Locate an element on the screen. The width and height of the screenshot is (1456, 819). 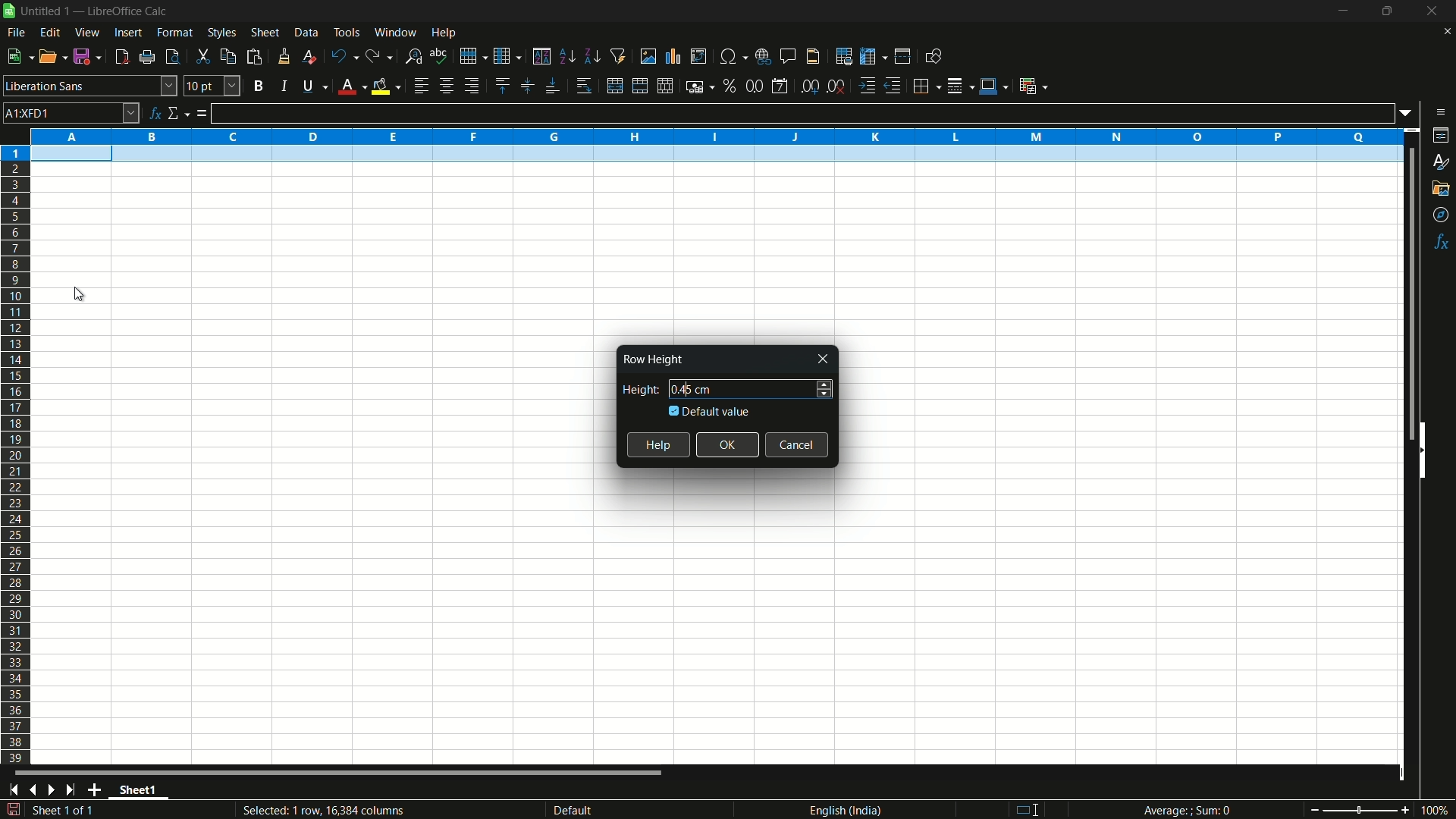
auto filter is located at coordinates (619, 56).